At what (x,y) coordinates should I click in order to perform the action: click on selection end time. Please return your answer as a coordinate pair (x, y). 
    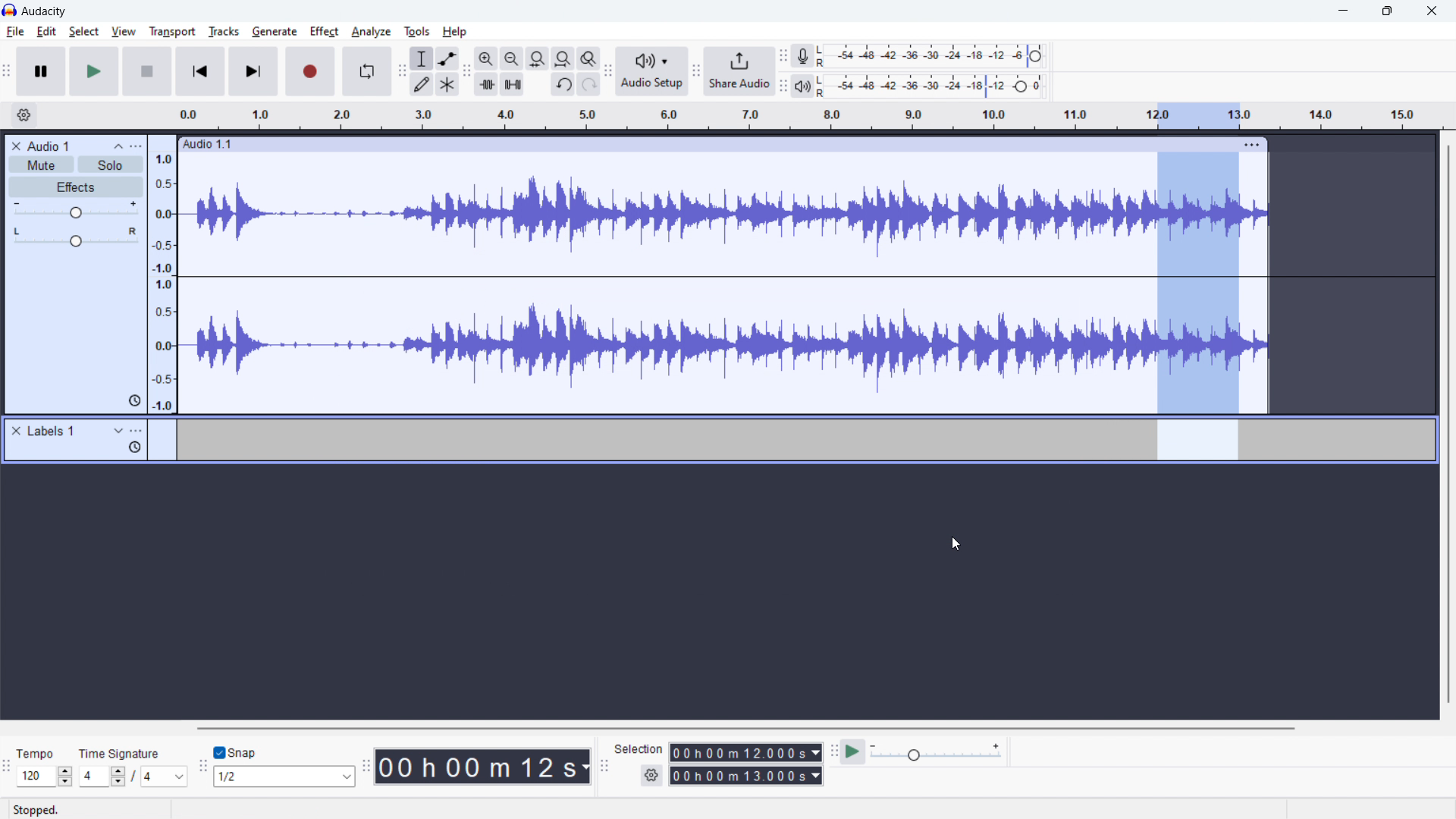
    Looking at the image, I should click on (747, 776).